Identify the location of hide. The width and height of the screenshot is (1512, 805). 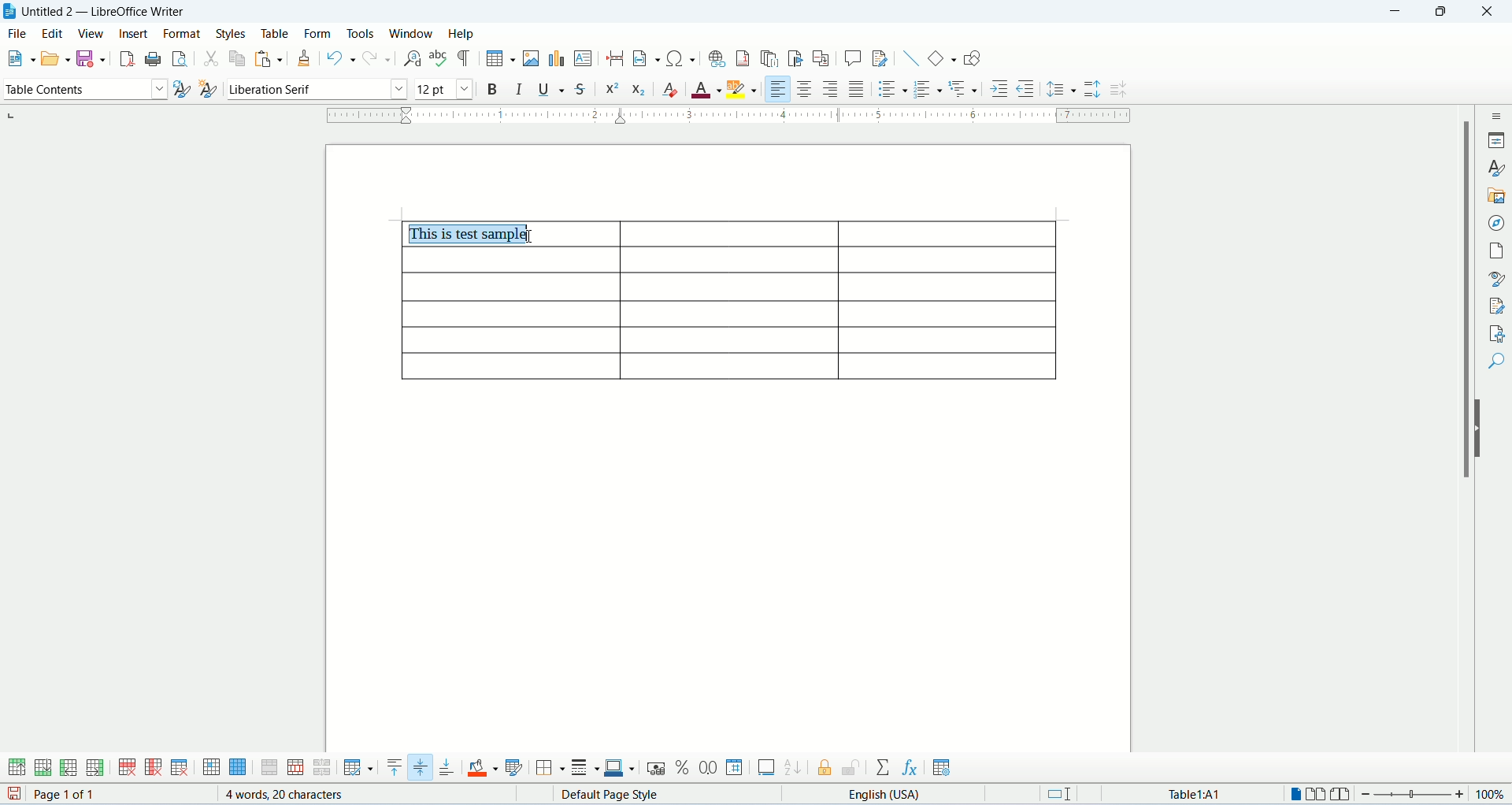
(1480, 429).